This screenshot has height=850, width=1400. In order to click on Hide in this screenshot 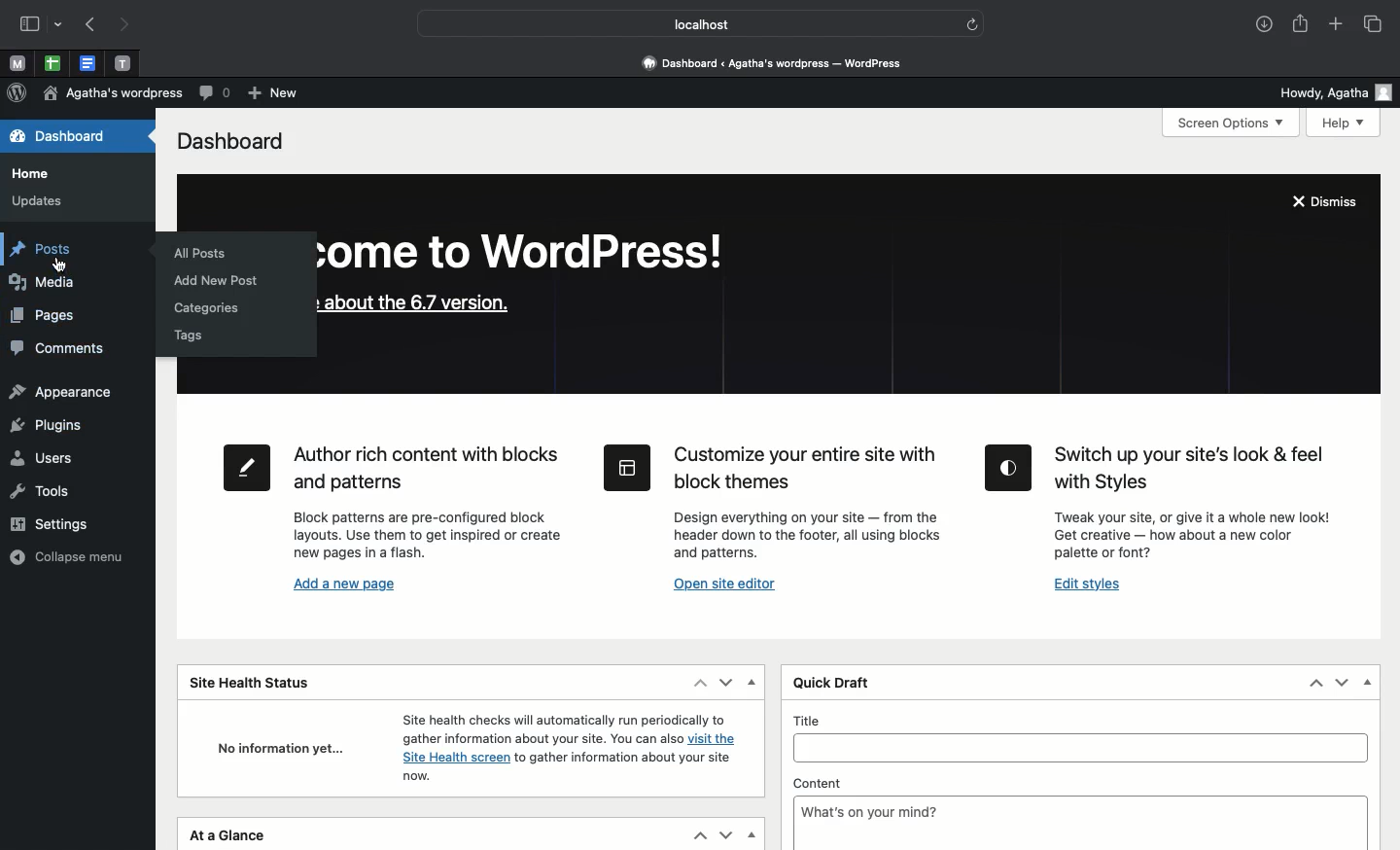, I will do `click(751, 833)`.